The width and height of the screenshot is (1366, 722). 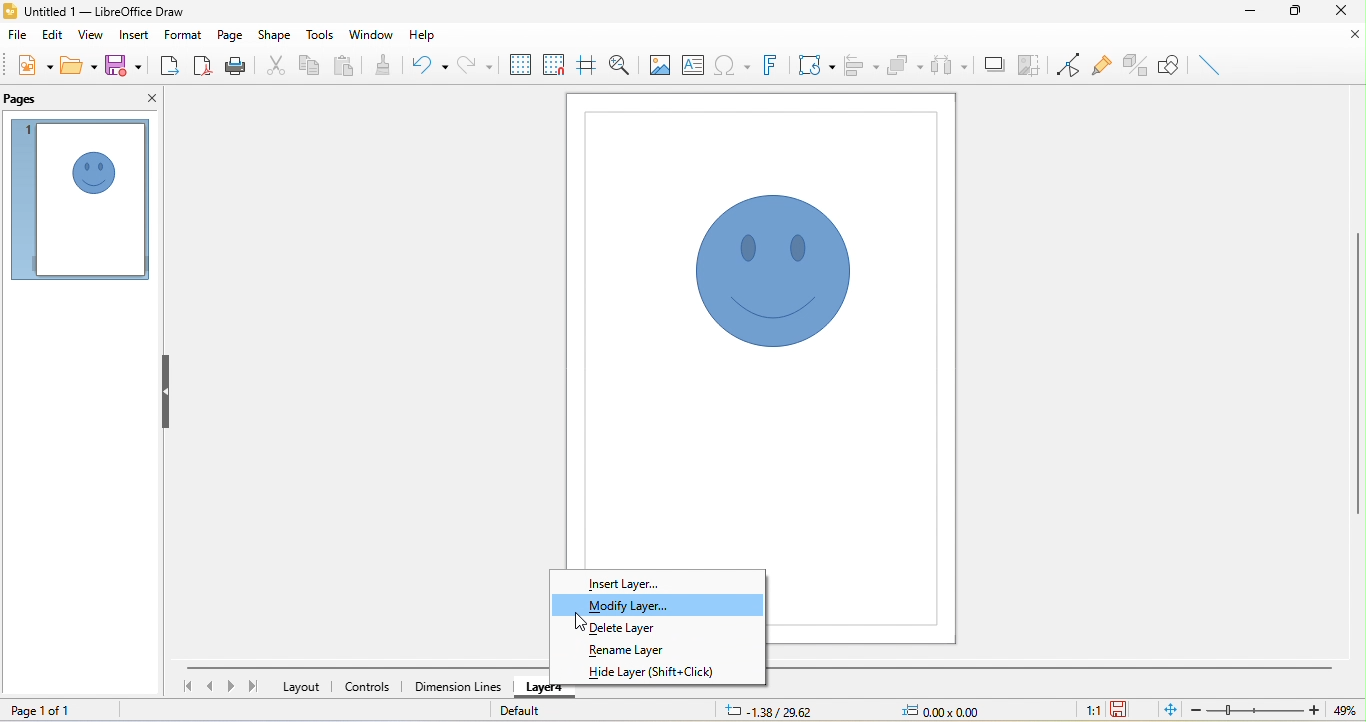 What do you see at coordinates (184, 35) in the screenshot?
I see `format` at bounding box center [184, 35].